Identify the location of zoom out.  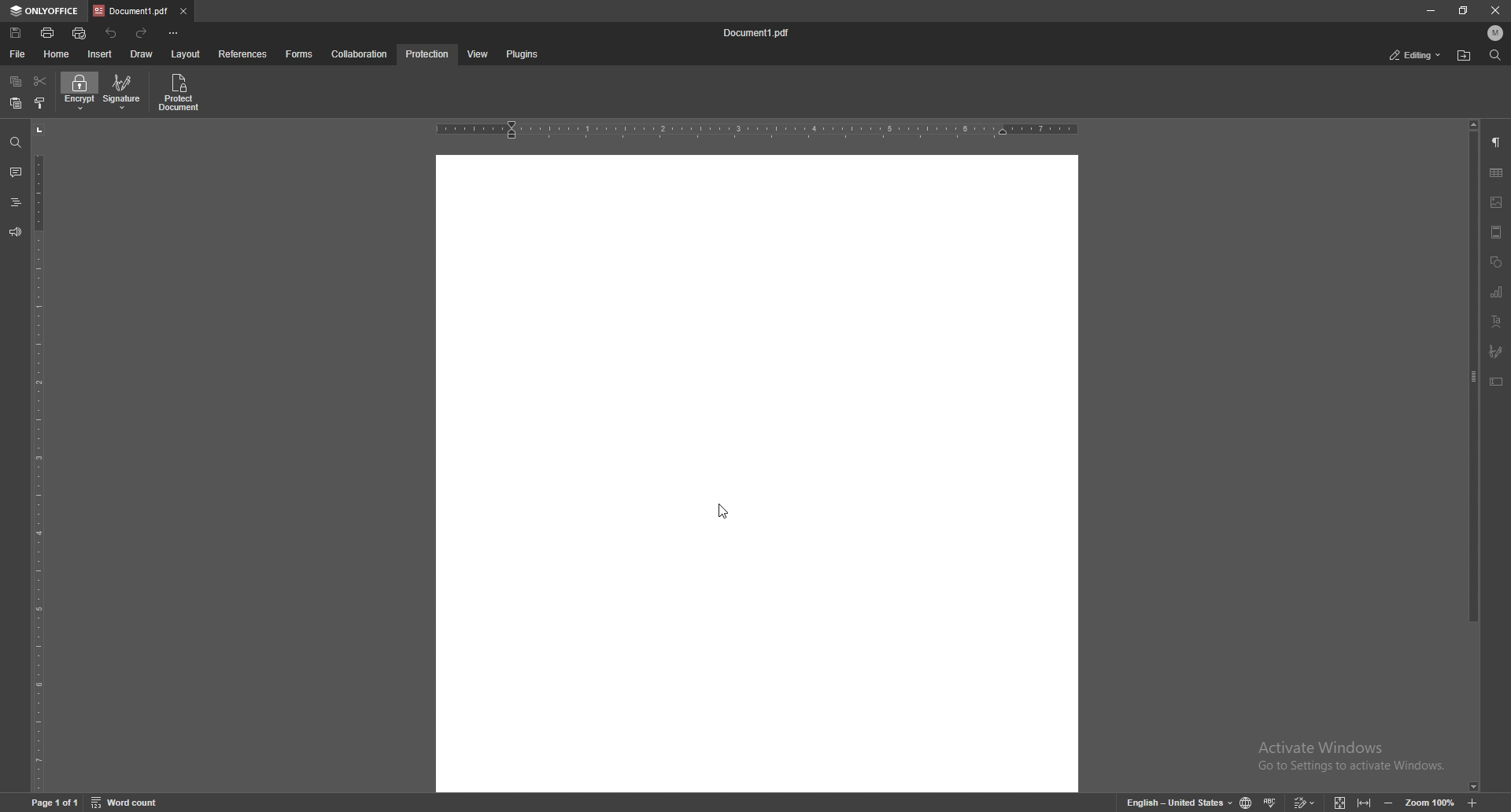
(1391, 801).